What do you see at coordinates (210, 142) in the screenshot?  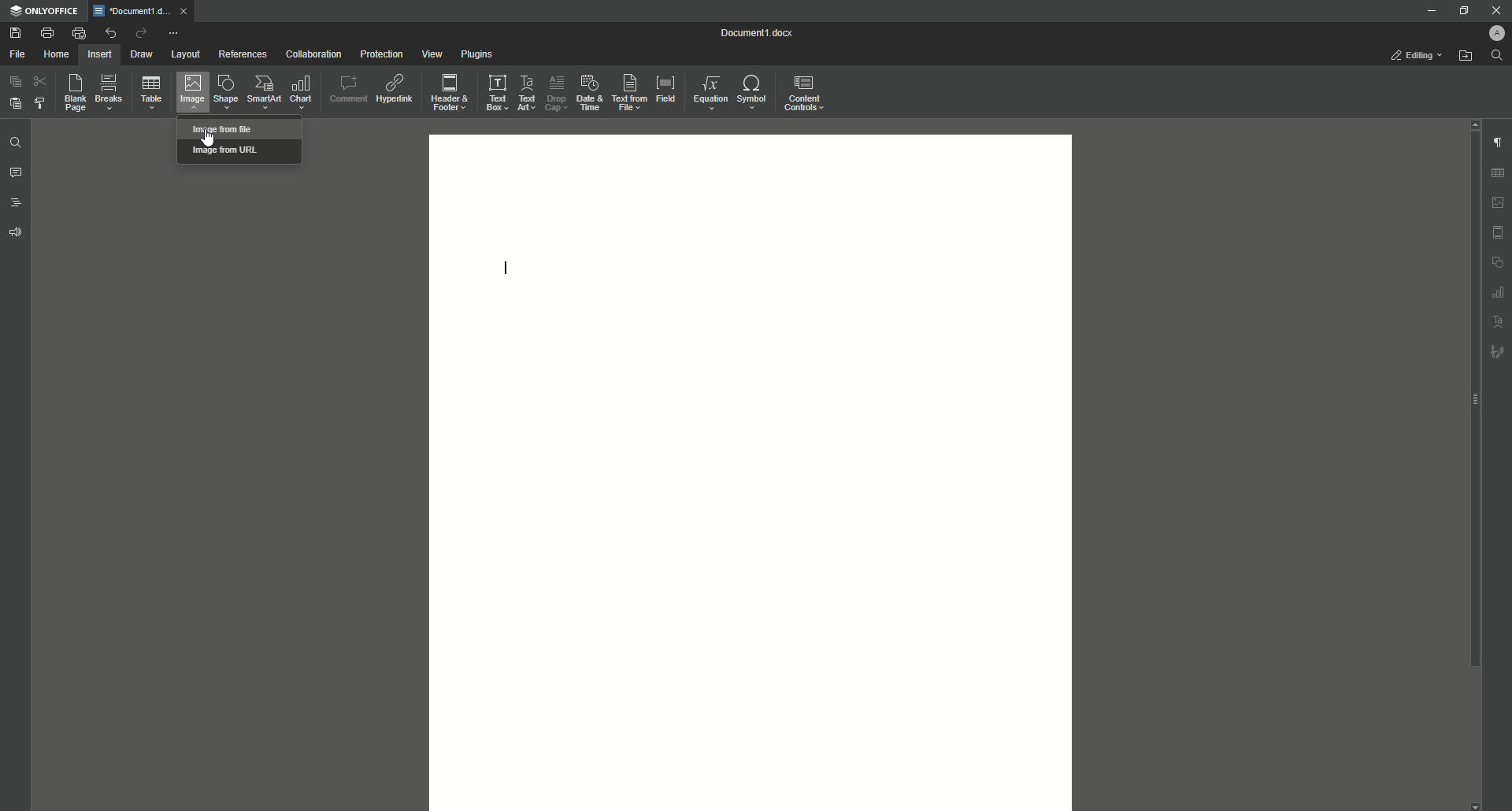 I see `pointer cursor` at bounding box center [210, 142].